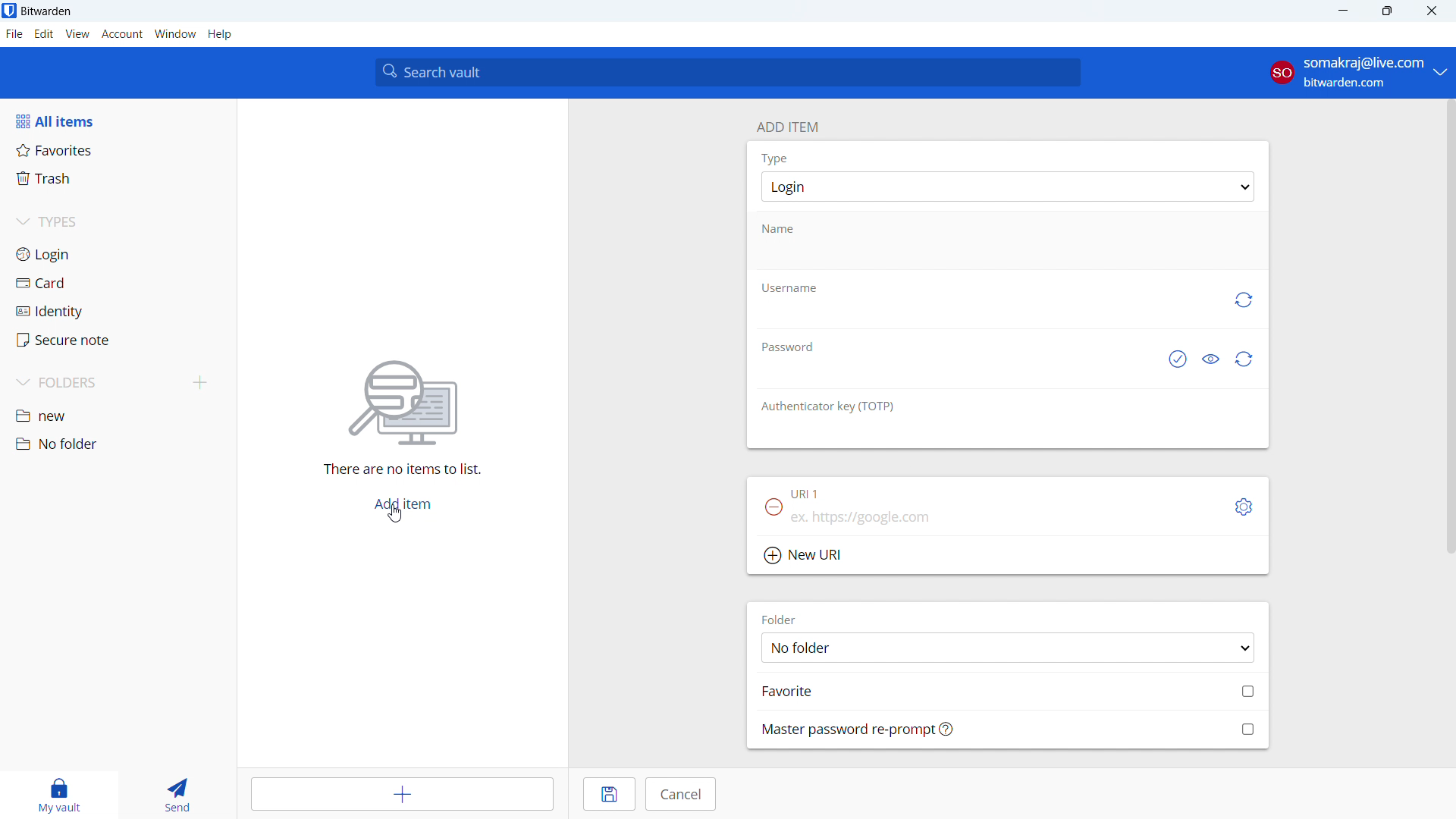 Image resolution: width=1456 pixels, height=819 pixels. Describe the element at coordinates (789, 288) in the screenshot. I see `Username` at that location.